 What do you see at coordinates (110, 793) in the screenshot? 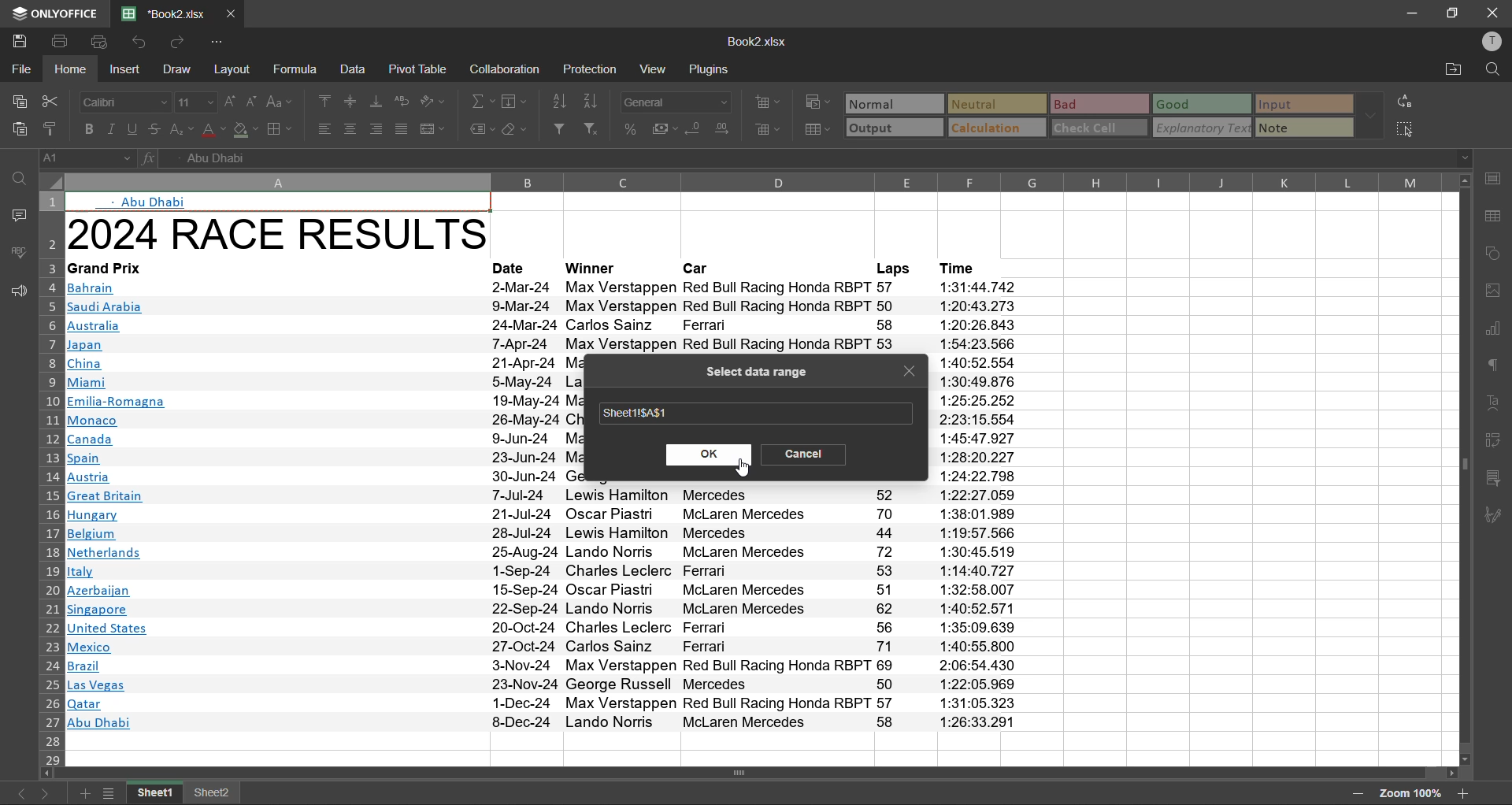
I see `sheet list` at bounding box center [110, 793].